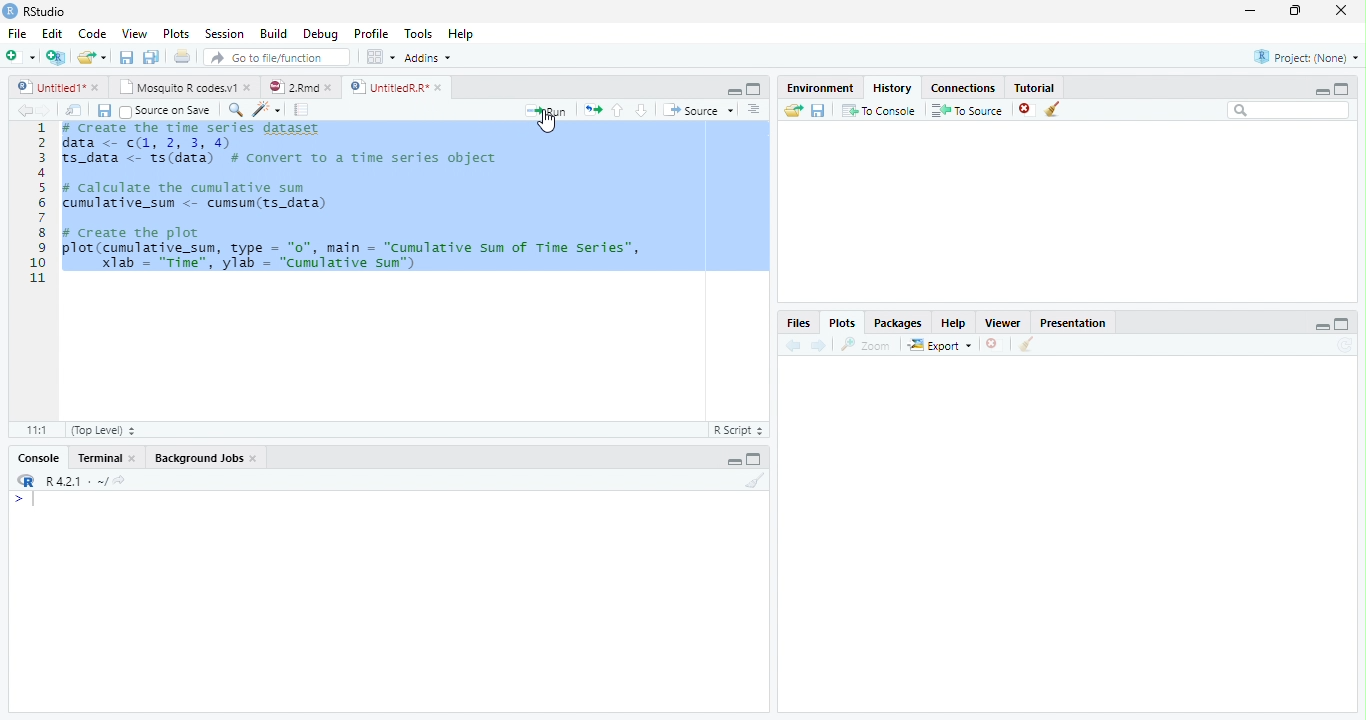  I want to click on Print, so click(184, 58).